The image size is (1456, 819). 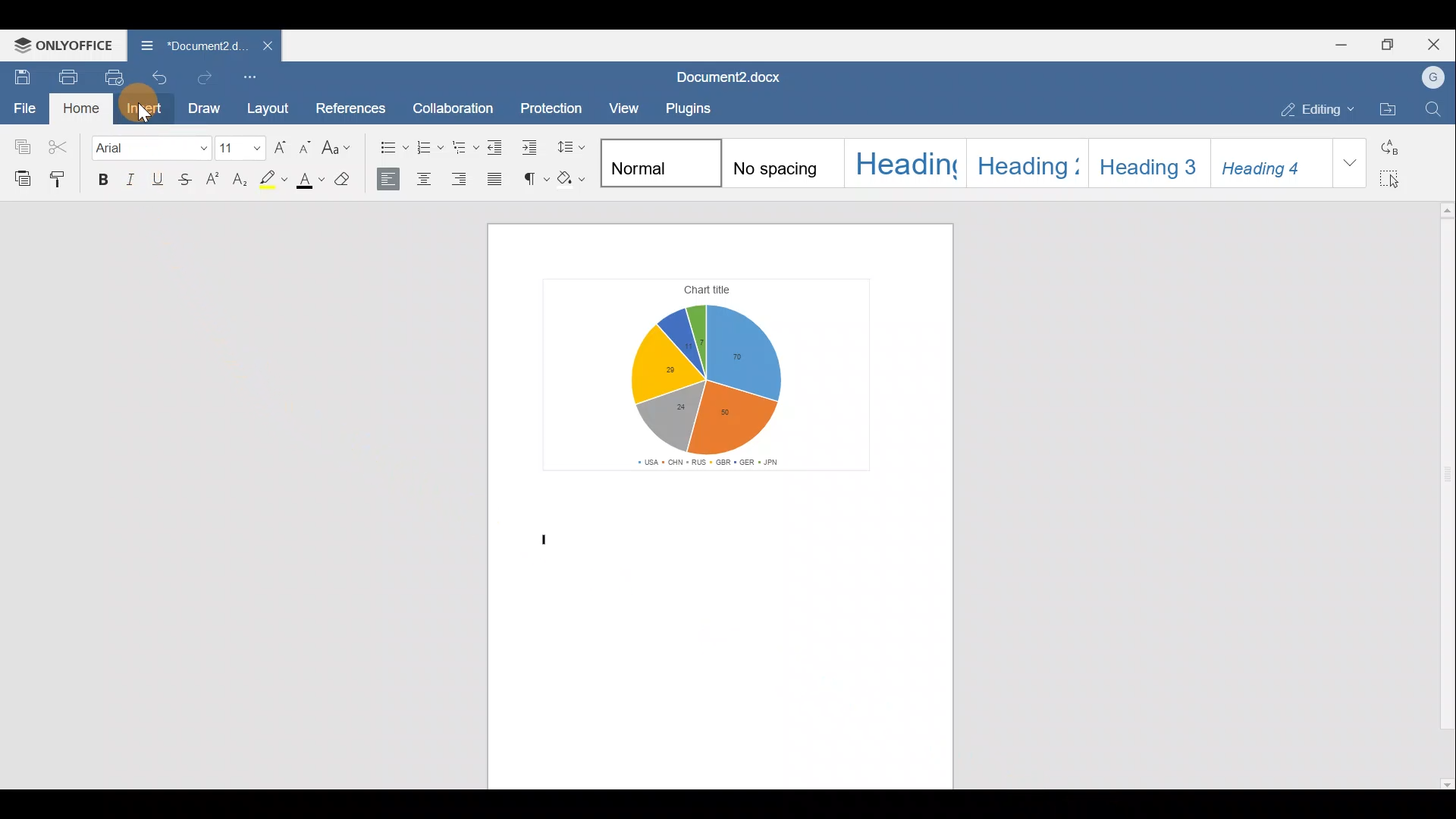 What do you see at coordinates (308, 149) in the screenshot?
I see `Decrease font size` at bounding box center [308, 149].